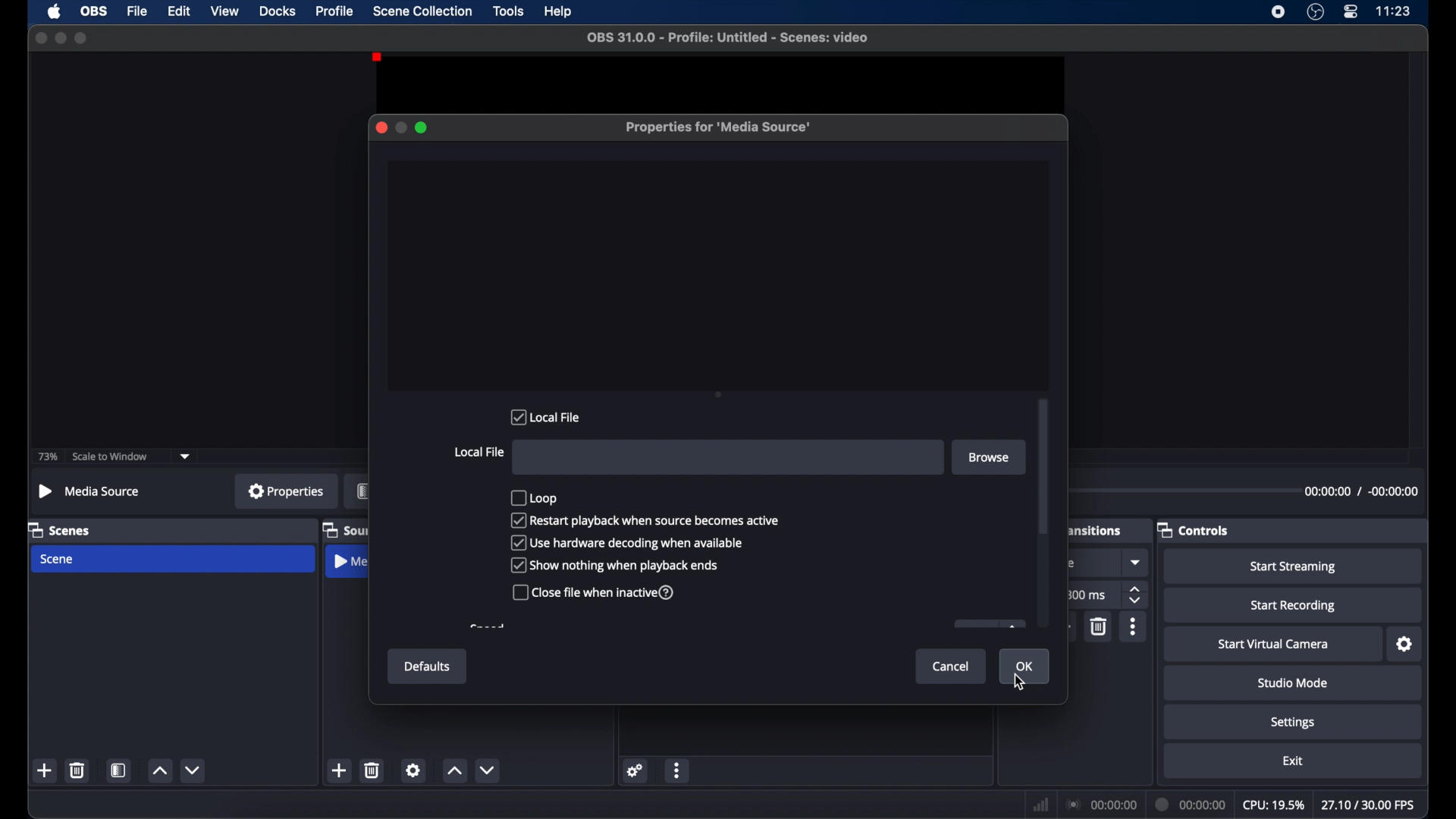  What do you see at coordinates (1278, 12) in the screenshot?
I see `screen recorder icon` at bounding box center [1278, 12].